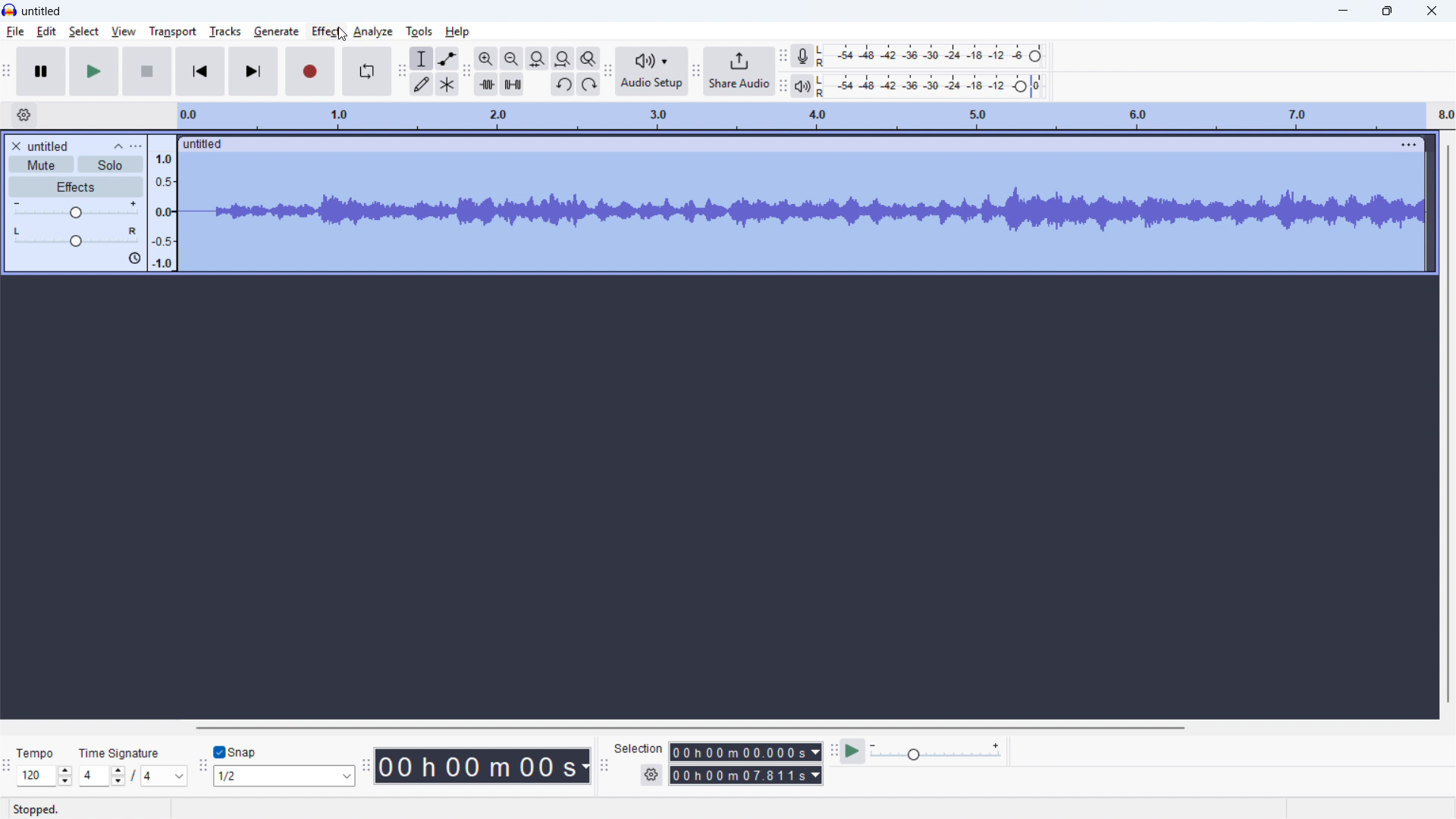 Image resolution: width=1456 pixels, height=819 pixels. What do you see at coordinates (783, 55) in the screenshot?
I see `Recording metre toolbar ` at bounding box center [783, 55].